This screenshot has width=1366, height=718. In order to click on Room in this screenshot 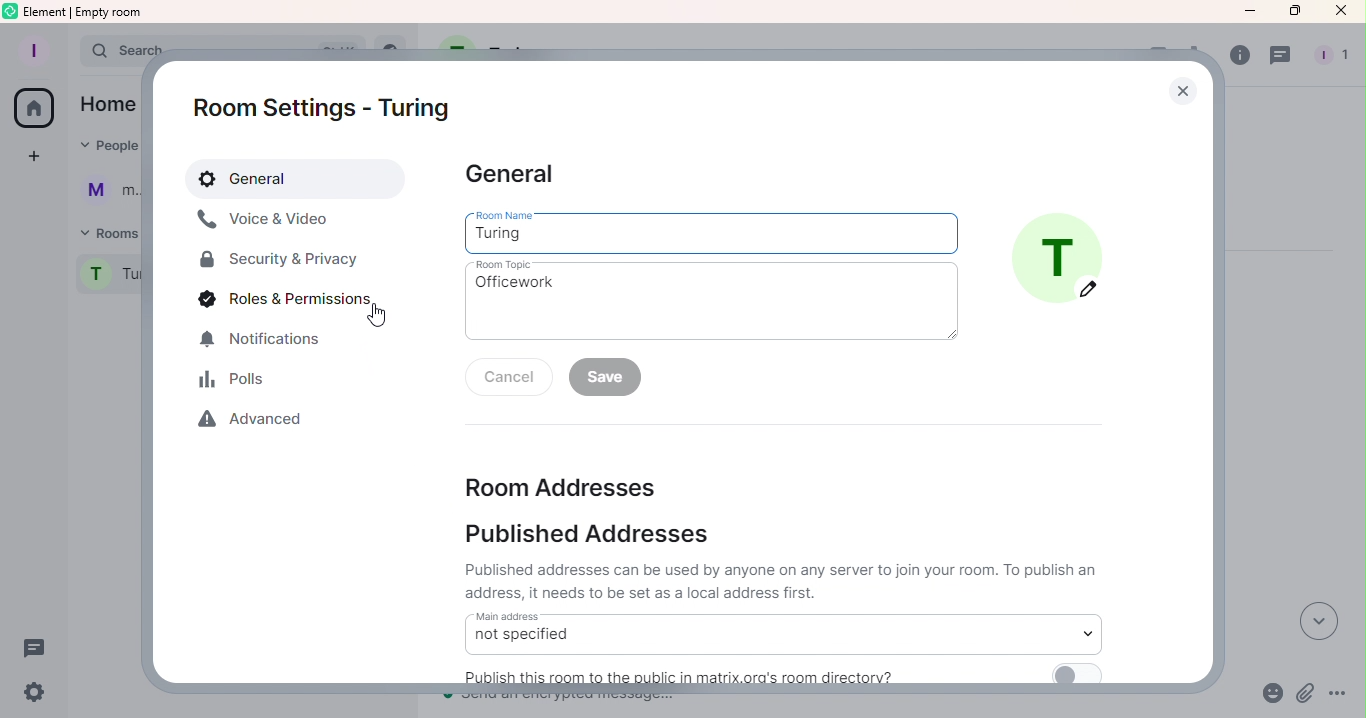, I will do `click(104, 278)`.